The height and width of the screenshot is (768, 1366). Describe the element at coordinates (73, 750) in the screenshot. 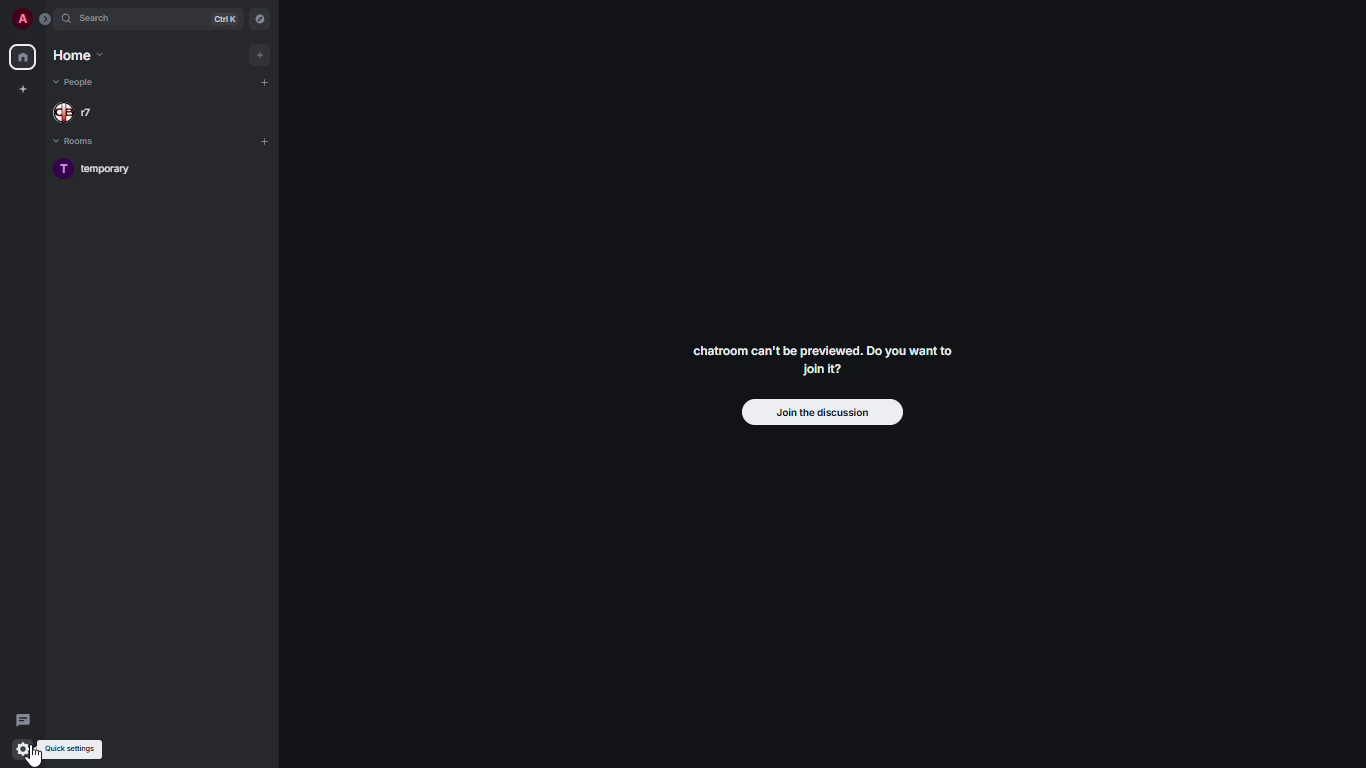

I see `quick settings` at that location.